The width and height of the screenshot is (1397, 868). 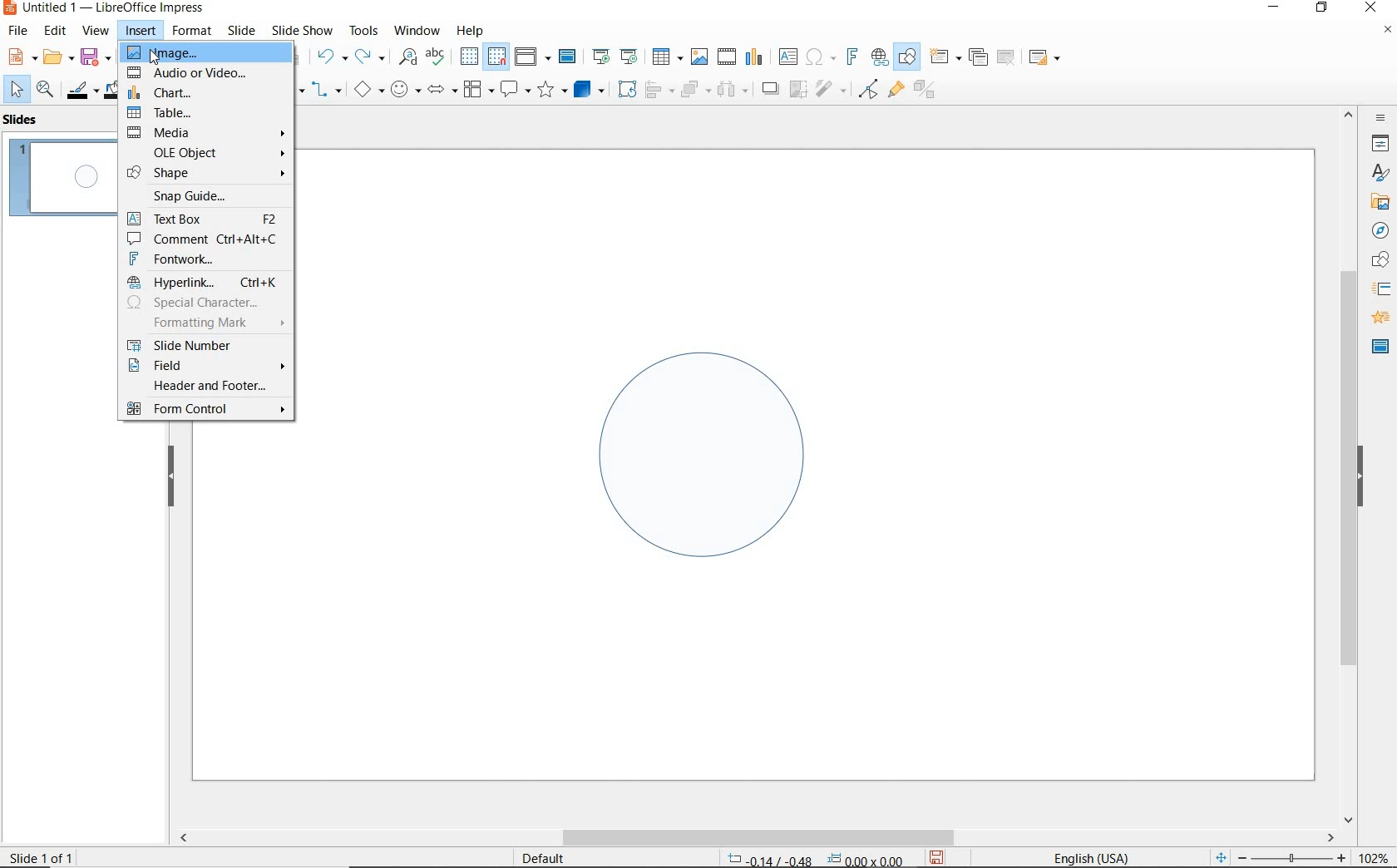 What do you see at coordinates (1088, 856) in the screenshot?
I see `Text language` at bounding box center [1088, 856].